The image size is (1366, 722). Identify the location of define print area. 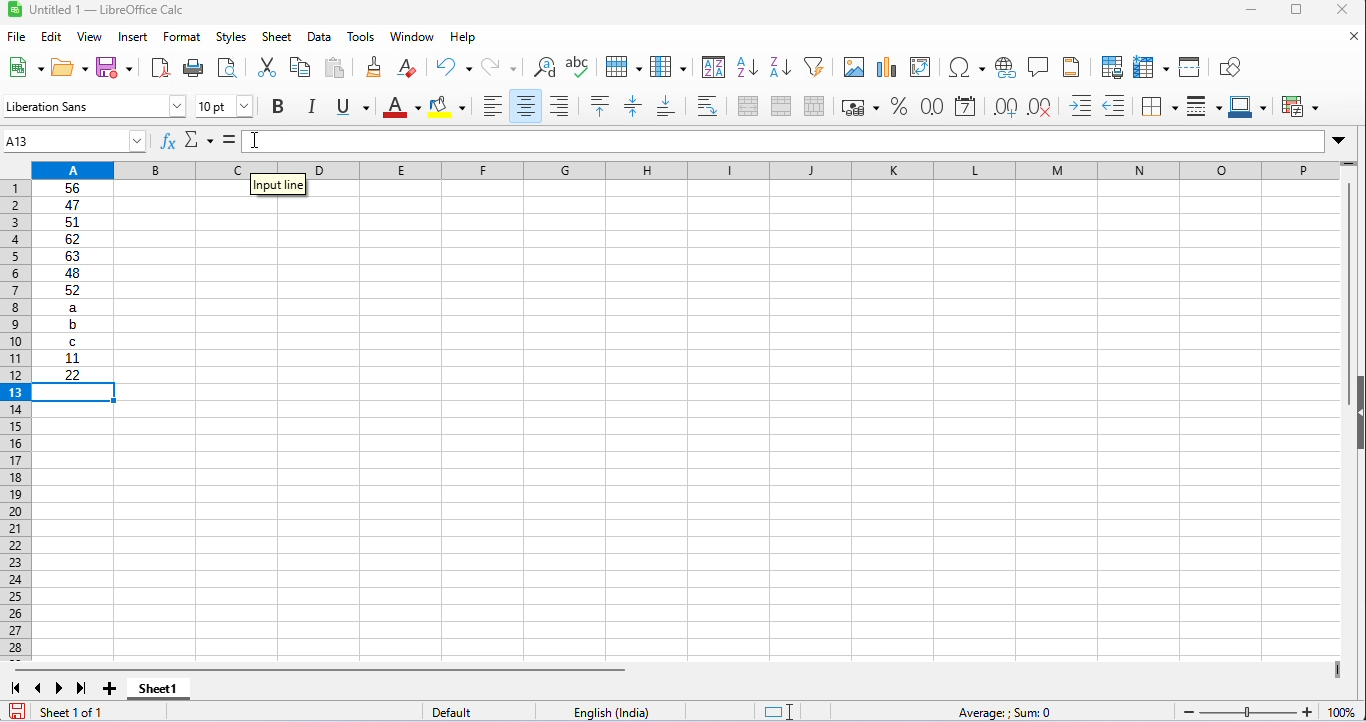
(1112, 66).